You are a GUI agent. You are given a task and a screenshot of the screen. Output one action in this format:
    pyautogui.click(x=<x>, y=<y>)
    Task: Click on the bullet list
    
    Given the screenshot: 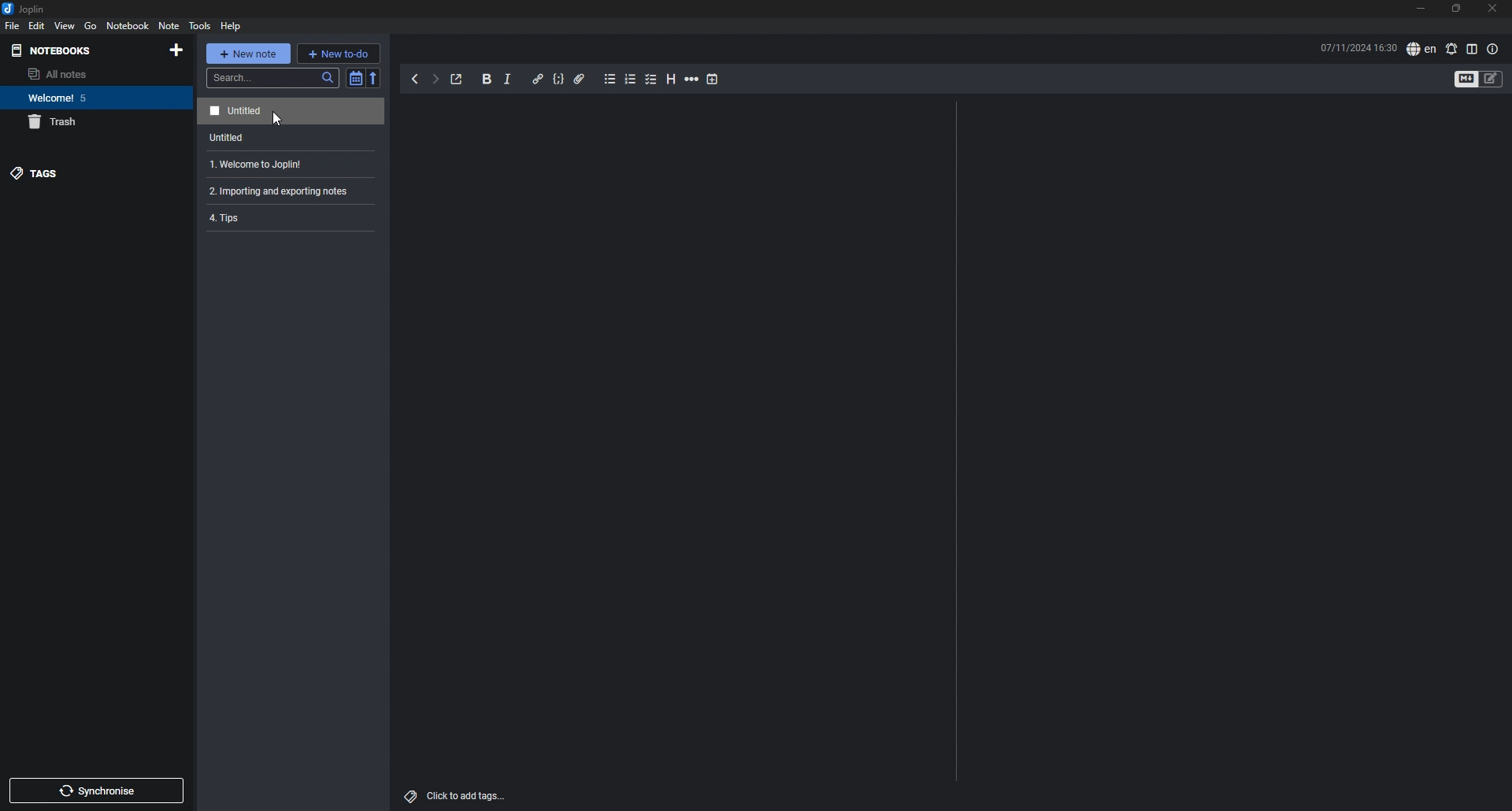 What is the action you would take?
    pyautogui.click(x=610, y=80)
    